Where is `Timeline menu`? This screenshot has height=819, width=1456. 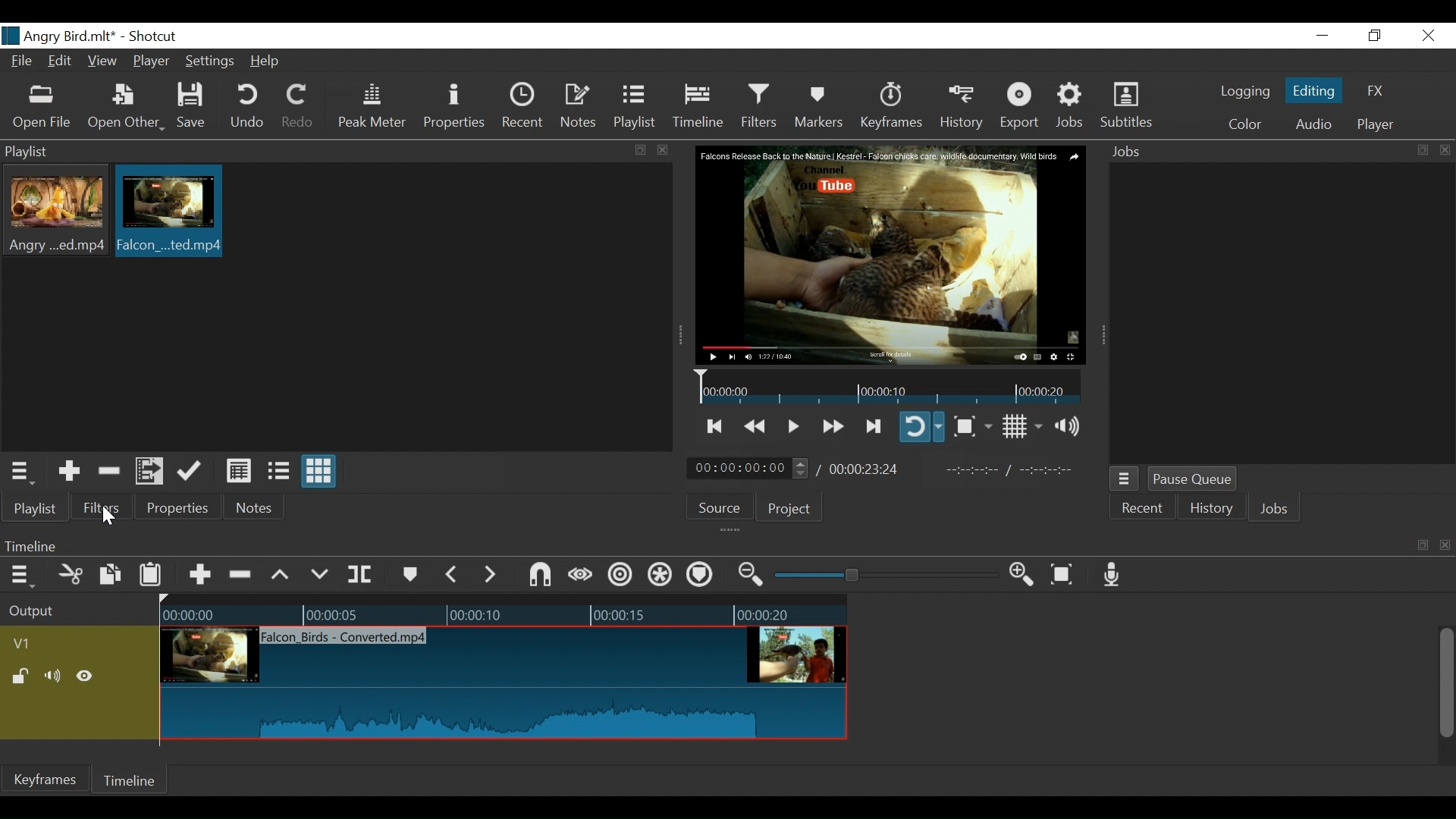
Timeline menu is located at coordinates (24, 574).